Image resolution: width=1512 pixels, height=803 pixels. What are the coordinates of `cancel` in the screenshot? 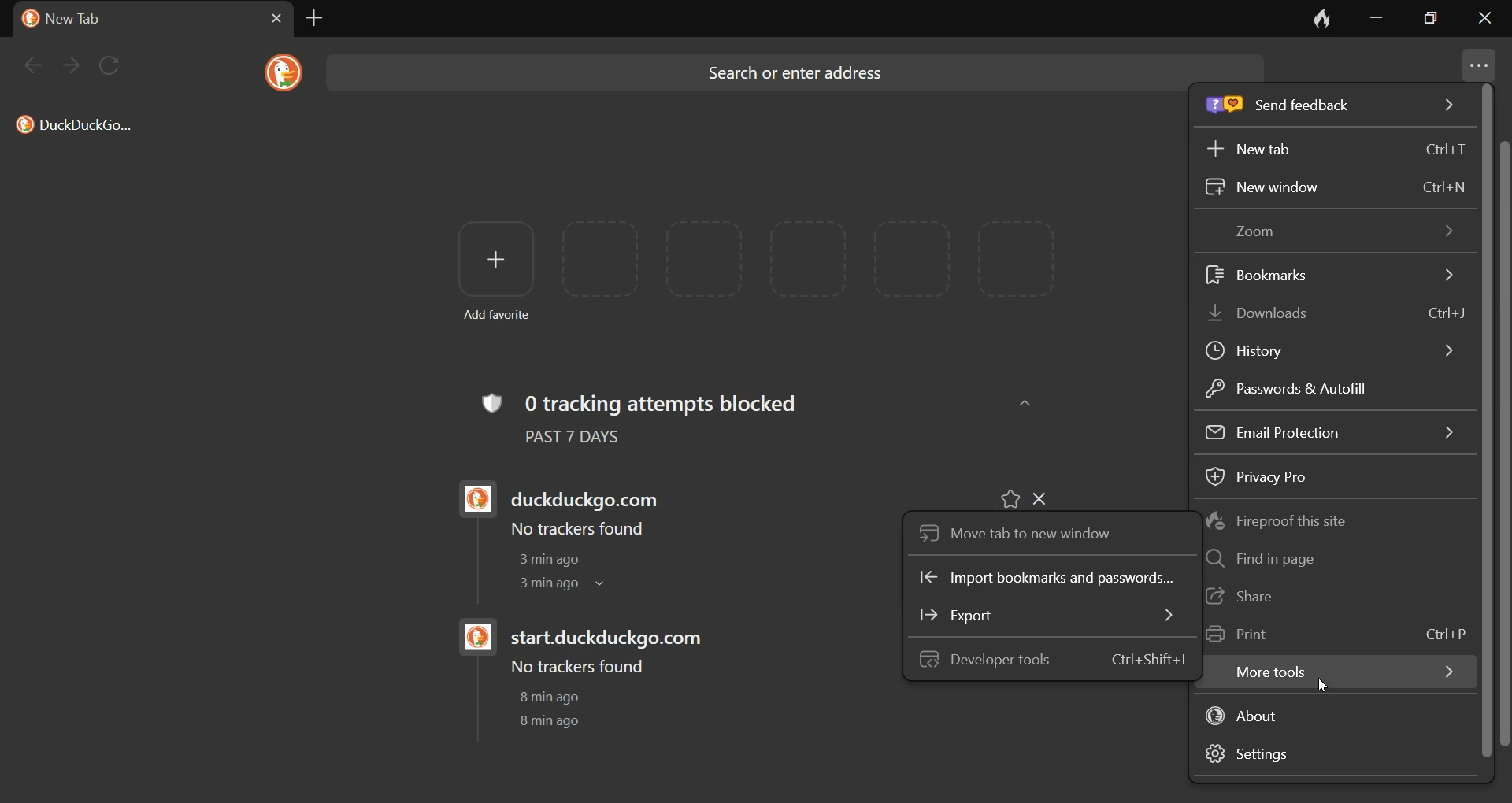 It's located at (1051, 495).